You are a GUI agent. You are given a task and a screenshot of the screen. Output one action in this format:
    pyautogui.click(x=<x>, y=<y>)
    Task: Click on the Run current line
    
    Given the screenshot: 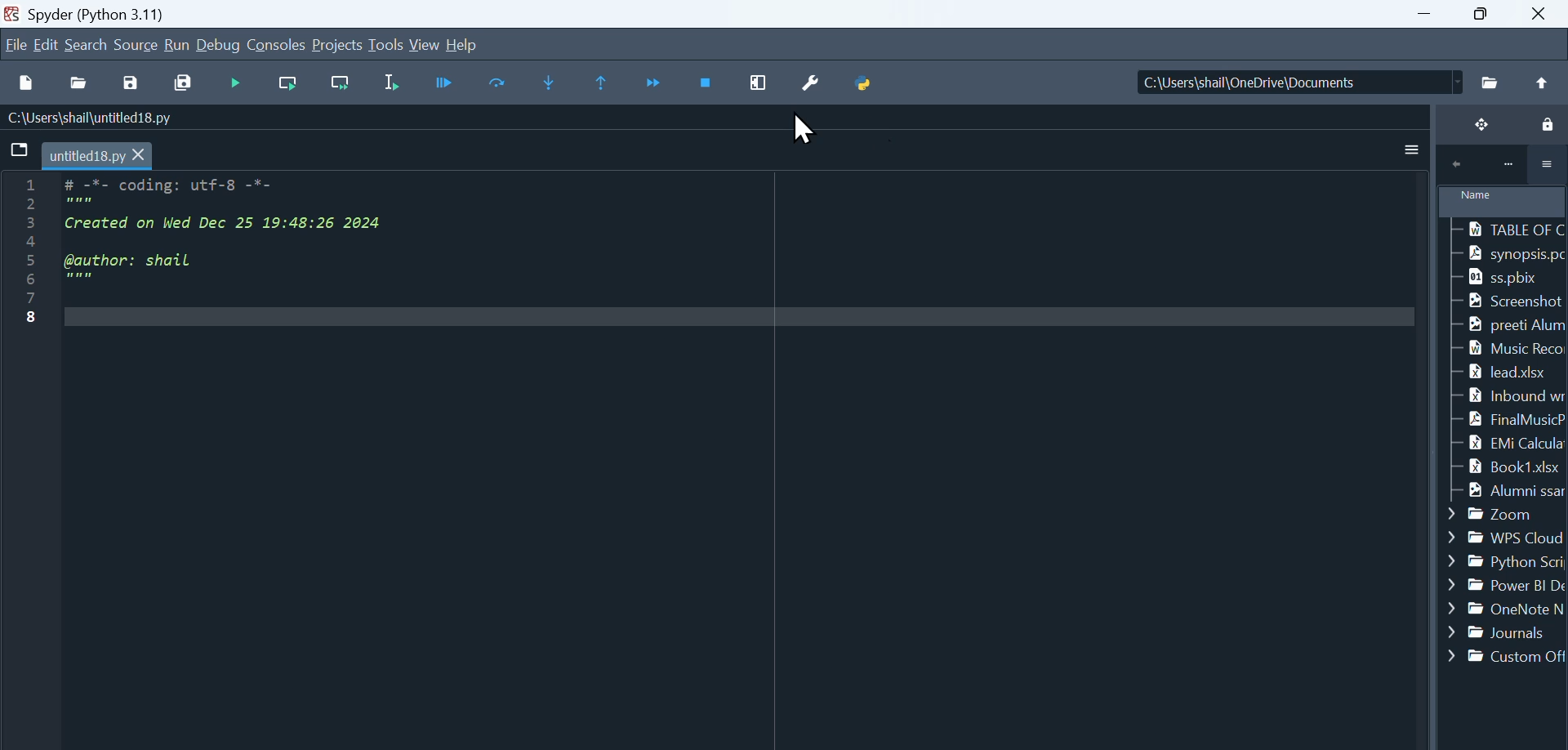 What is the action you would take?
    pyautogui.click(x=501, y=82)
    